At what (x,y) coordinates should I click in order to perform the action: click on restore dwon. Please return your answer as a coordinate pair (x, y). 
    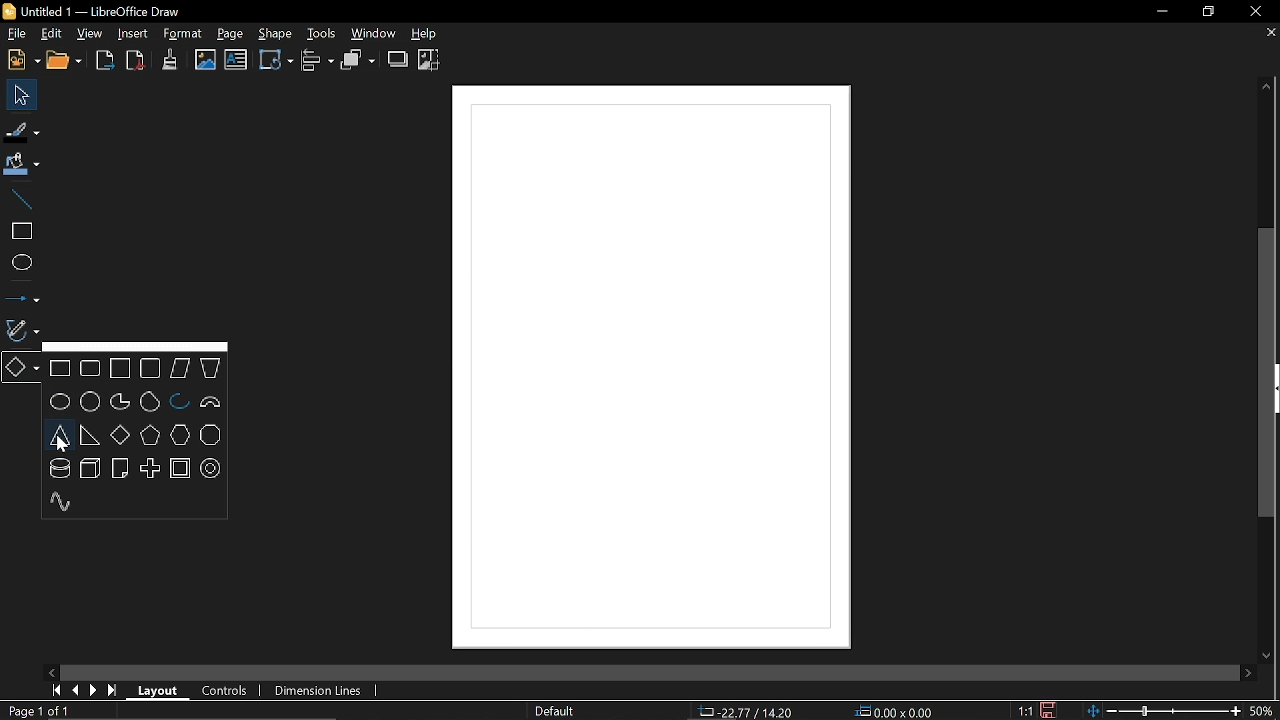
    Looking at the image, I should click on (1209, 13).